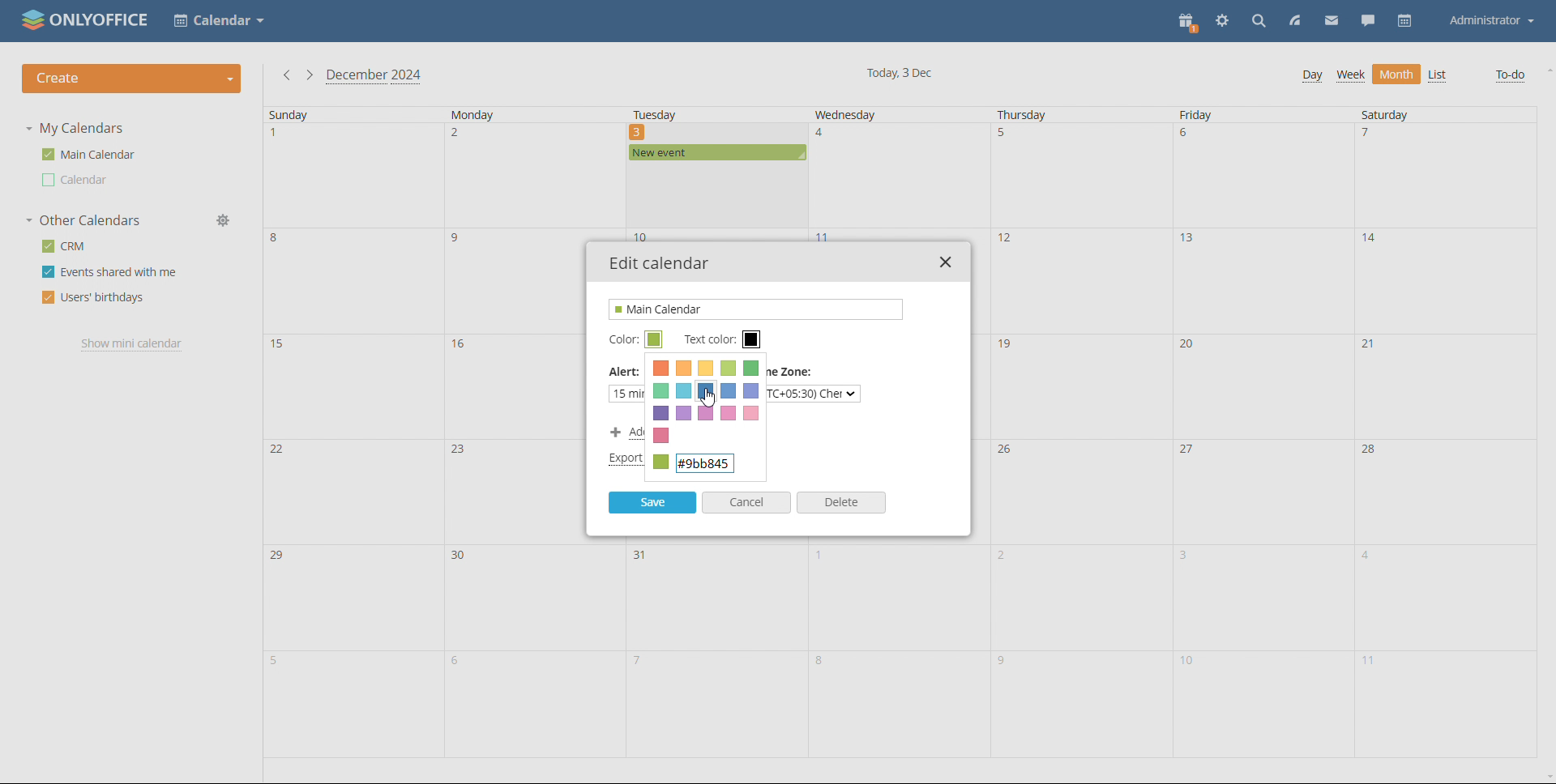 Image resolution: width=1556 pixels, height=784 pixels. What do you see at coordinates (227, 220) in the screenshot?
I see `manage` at bounding box center [227, 220].